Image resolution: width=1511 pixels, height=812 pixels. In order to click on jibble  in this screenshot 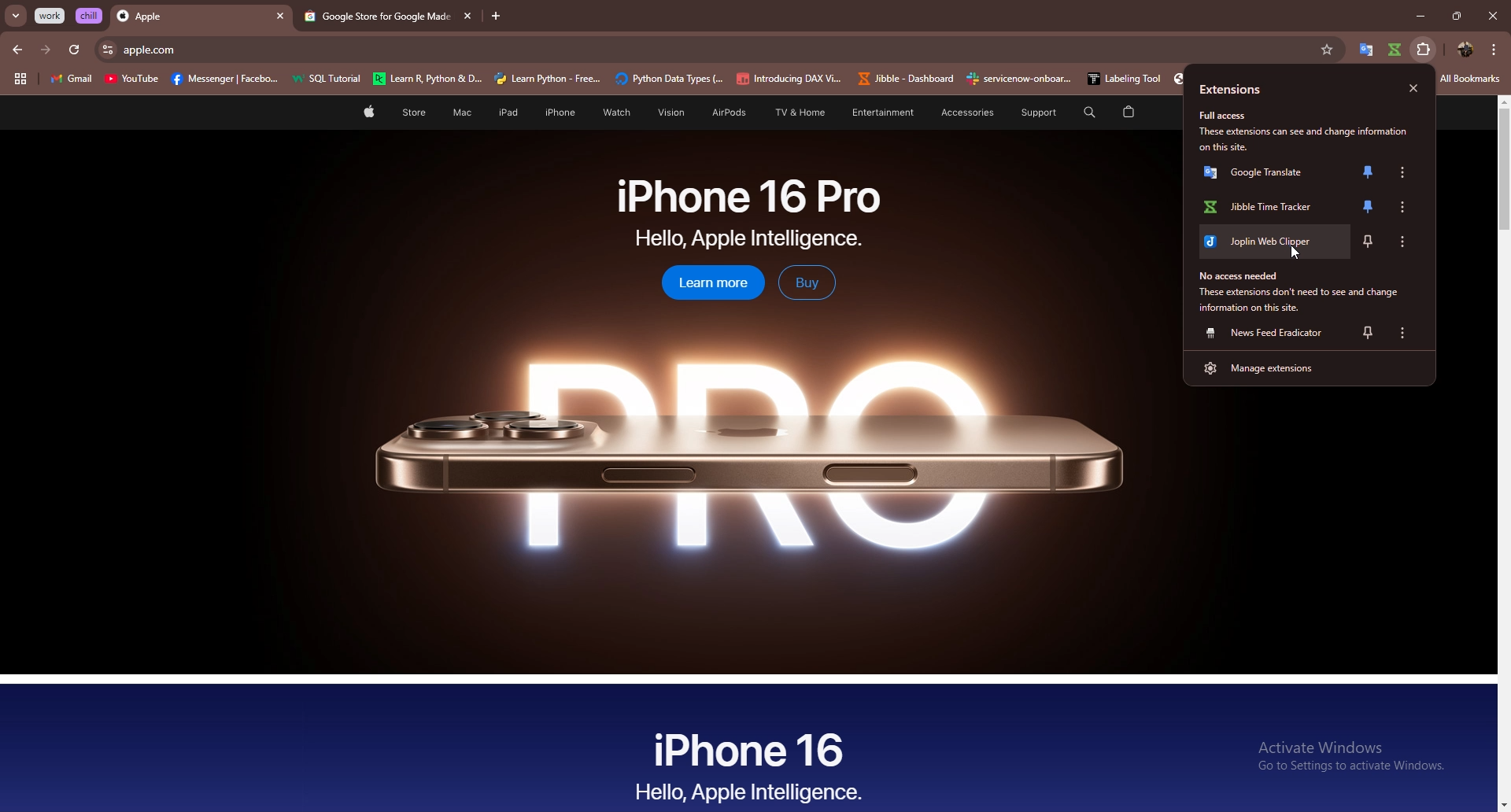, I will do `click(1396, 50)`.